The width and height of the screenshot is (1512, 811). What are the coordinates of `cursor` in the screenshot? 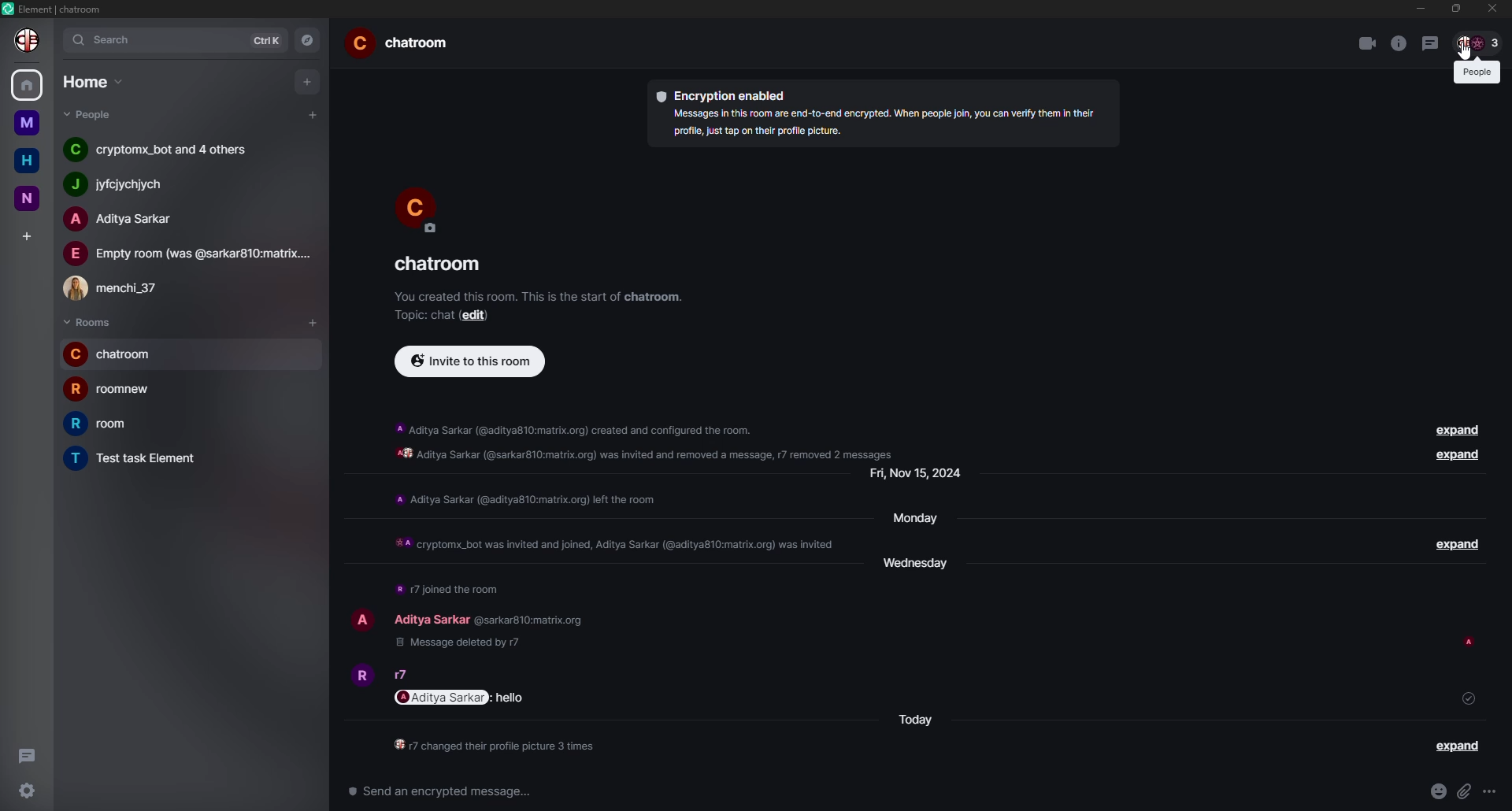 It's located at (1466, 50).